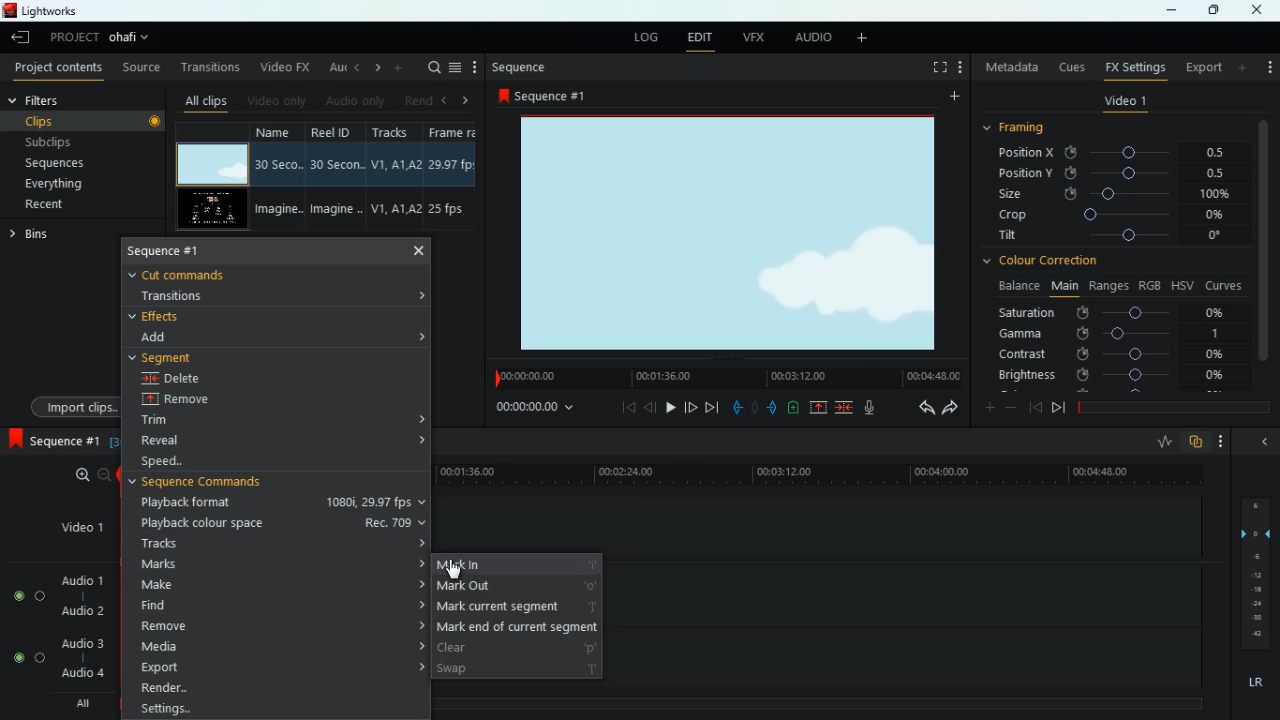 This screenshot has width=1280, height=720. Describe the element at coordinates (207, 66) in the screenshot. I see `transitions` at that location.